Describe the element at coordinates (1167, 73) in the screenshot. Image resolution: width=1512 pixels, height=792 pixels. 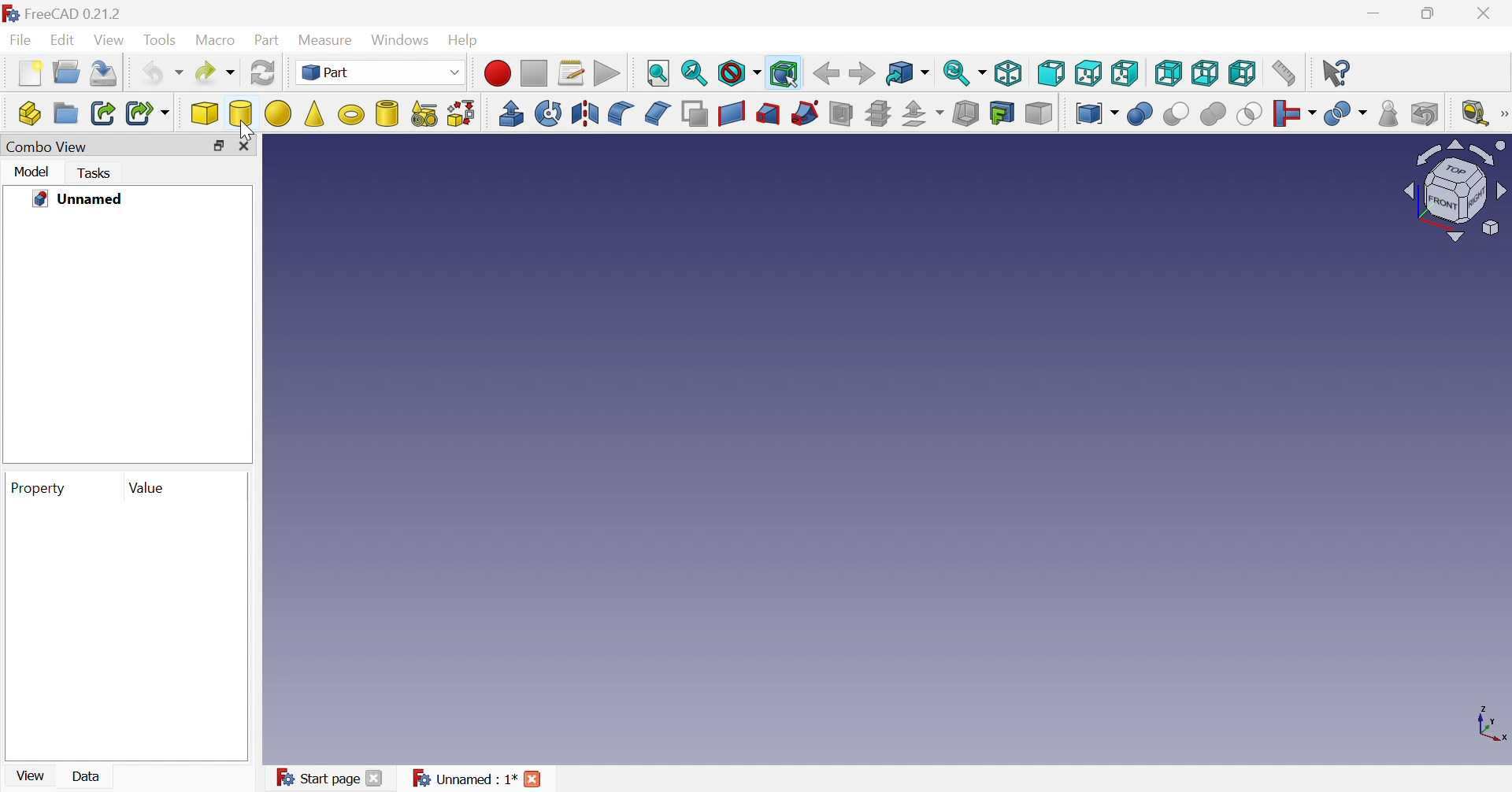
I see `Rear` at that location.